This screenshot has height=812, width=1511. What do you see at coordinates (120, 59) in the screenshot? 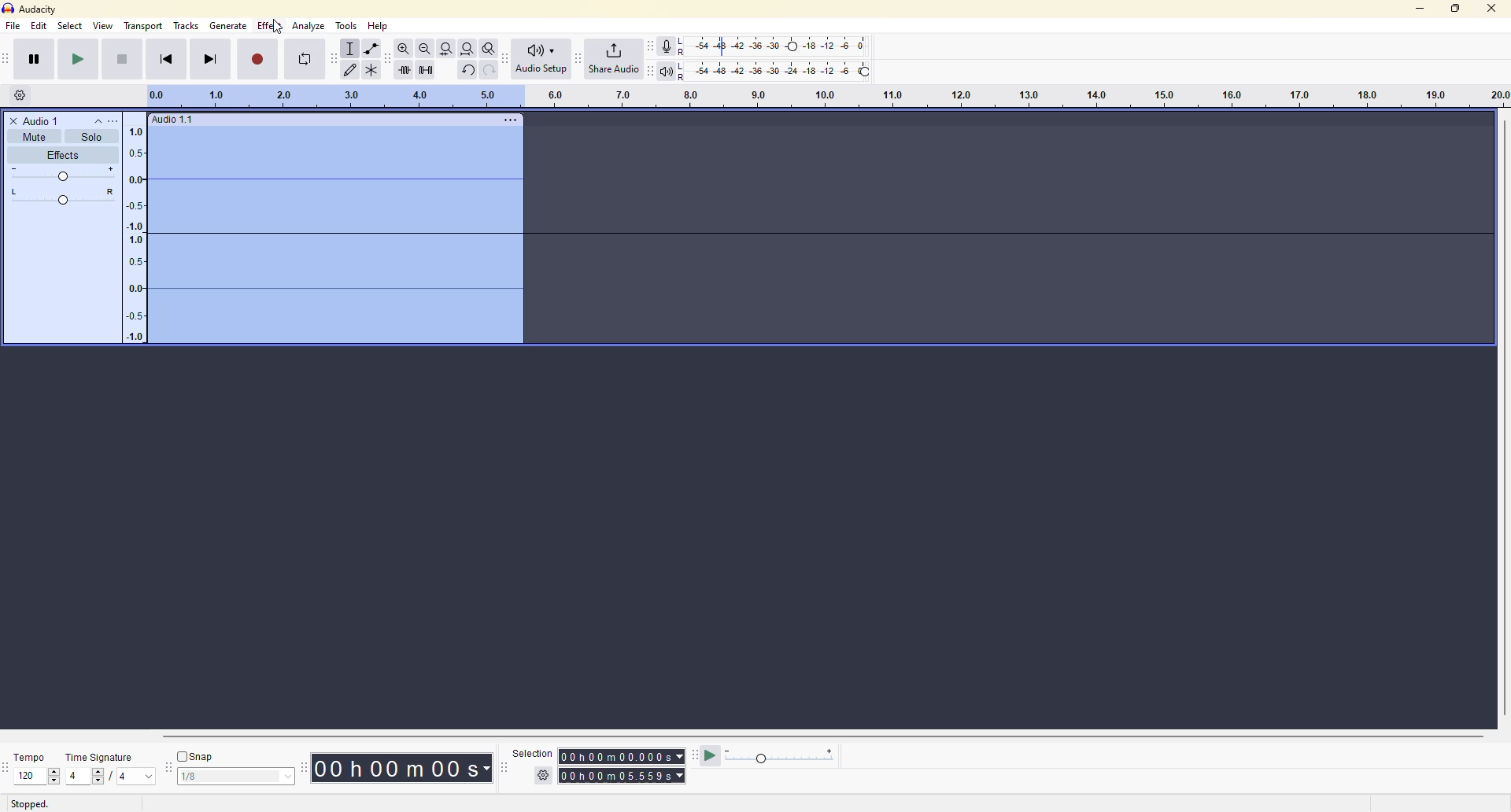
I see `stop` at bounding box center [120, 59].